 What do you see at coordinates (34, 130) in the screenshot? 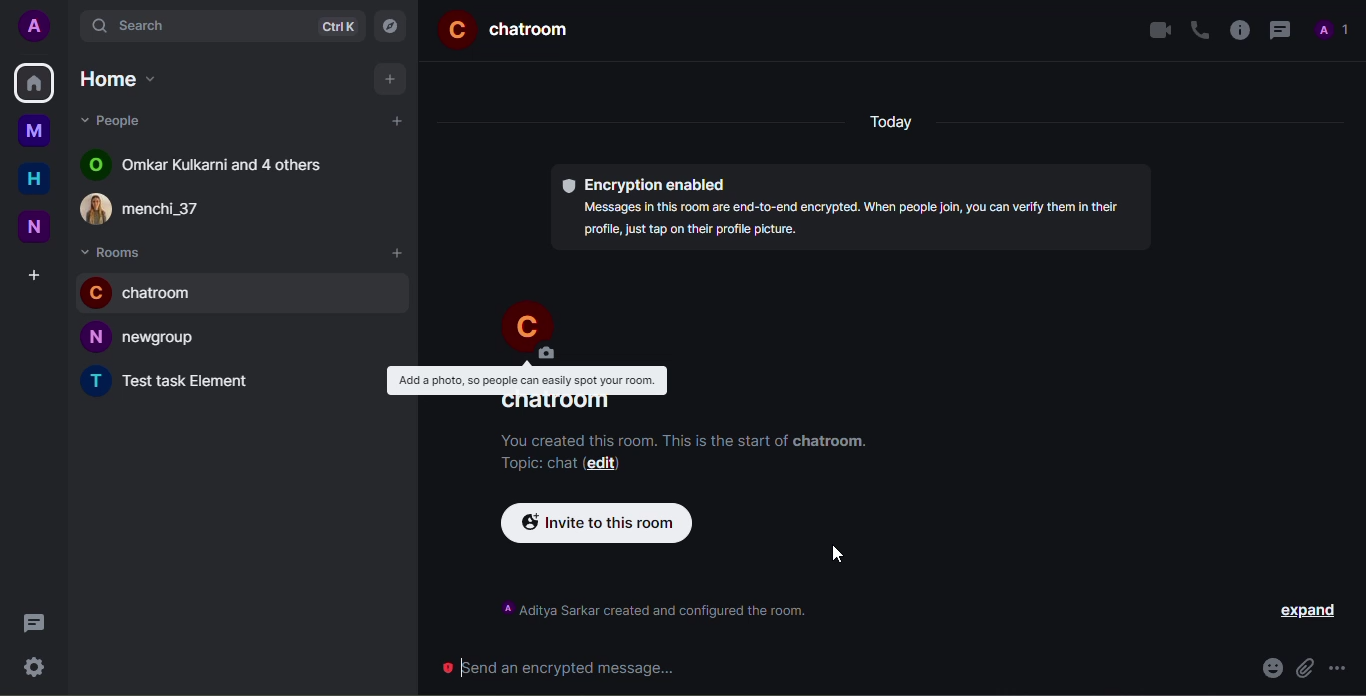
I see `myspace` at bounding box center [34, 130].